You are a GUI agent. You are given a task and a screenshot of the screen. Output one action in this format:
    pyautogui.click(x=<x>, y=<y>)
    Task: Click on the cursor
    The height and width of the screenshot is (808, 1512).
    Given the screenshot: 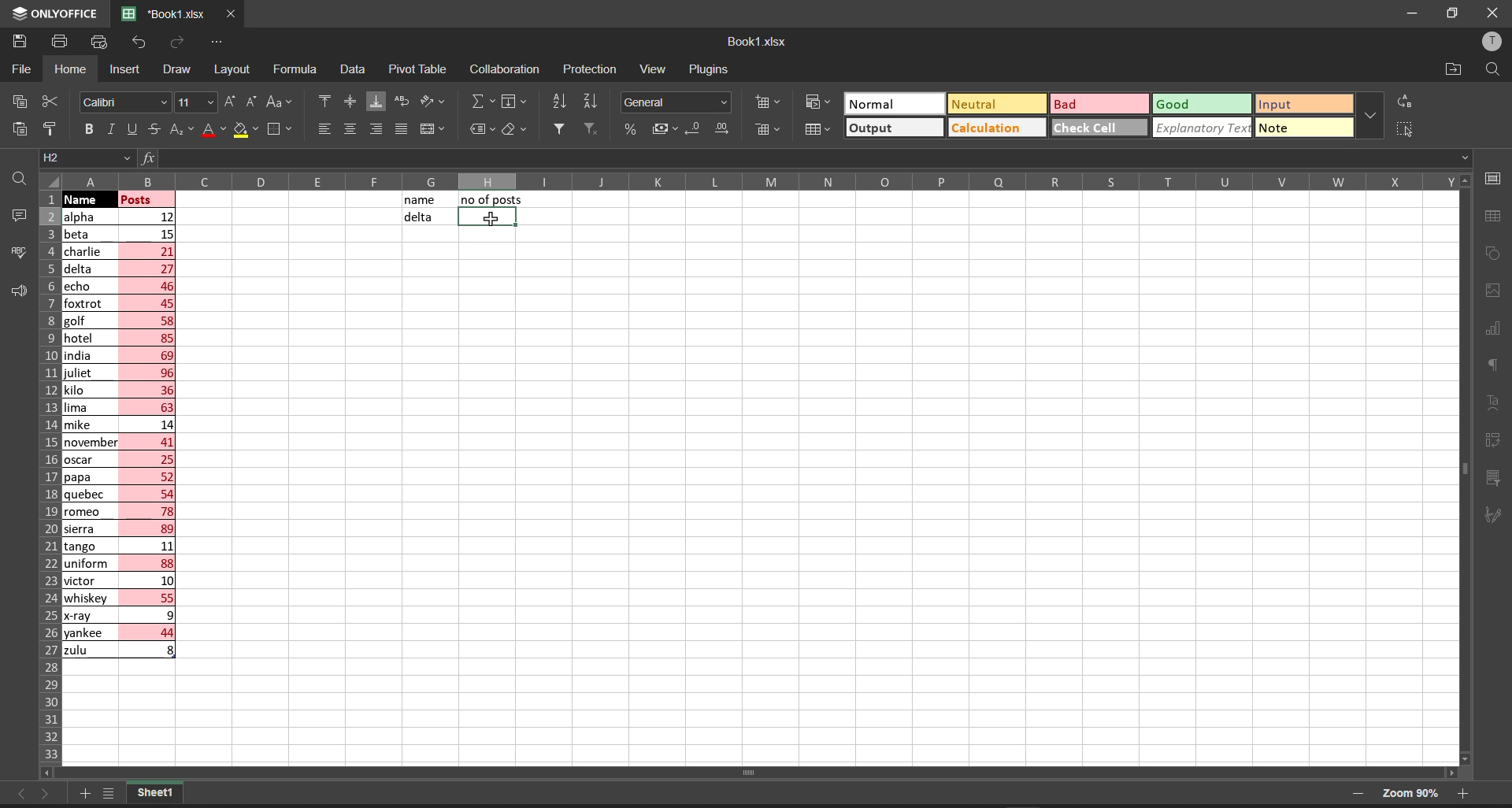 What is the action you would take?
    pyautogui.click(x=491, y=218)
    